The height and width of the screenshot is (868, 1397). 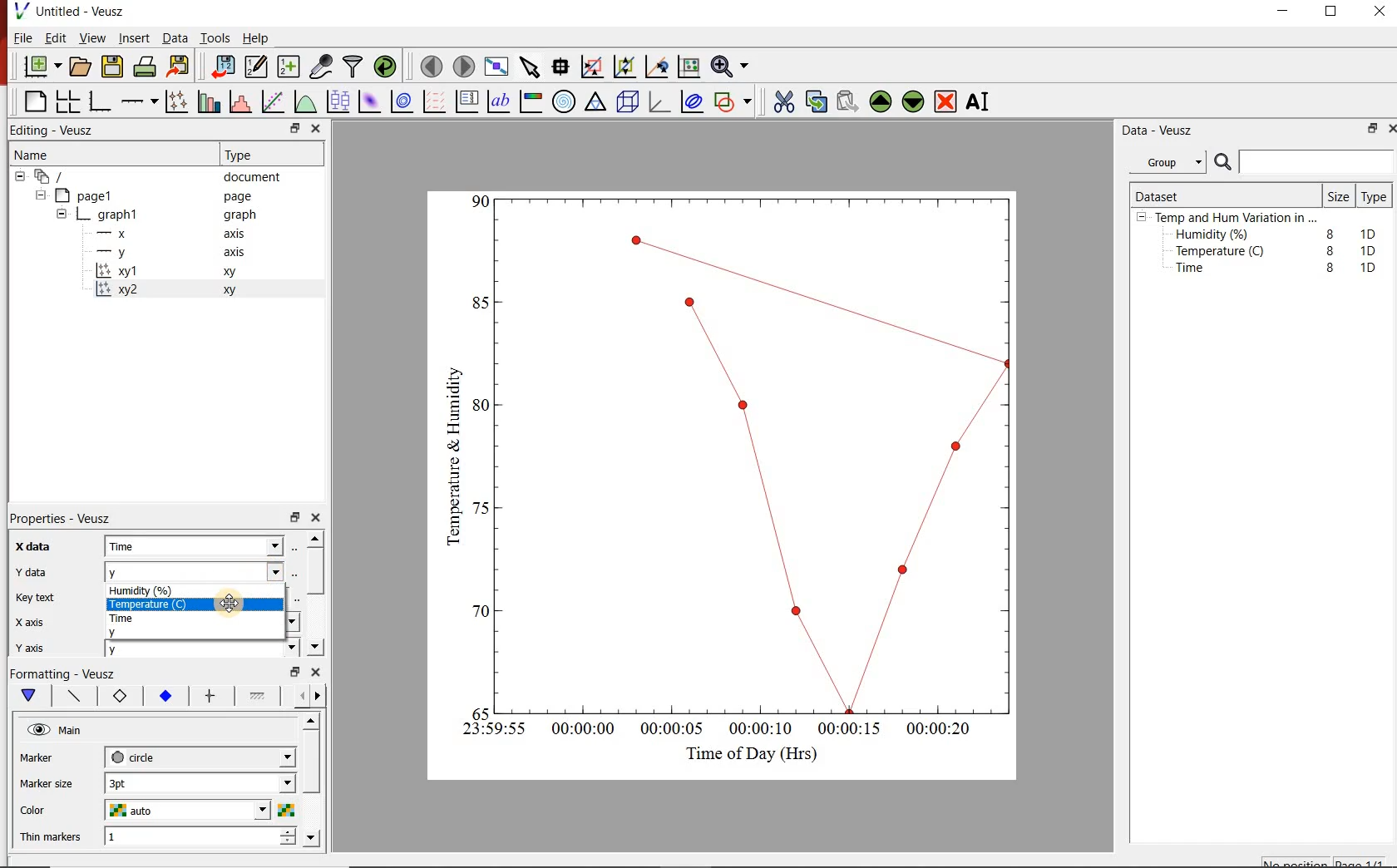 I want to click on Humidity (%), so click(x=1216, y=235).